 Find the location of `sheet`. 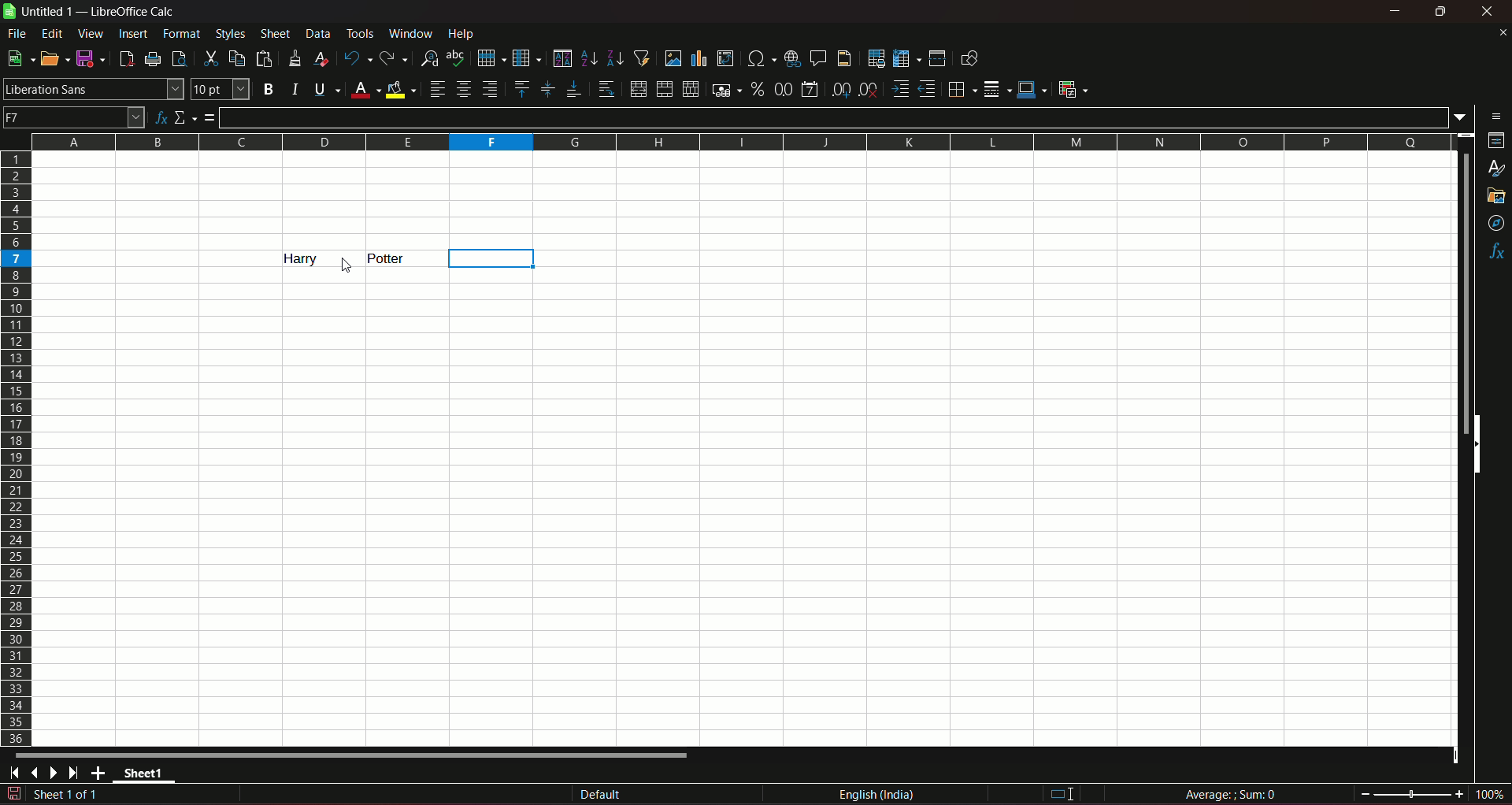

sheet is located at coordinates (276, 34).